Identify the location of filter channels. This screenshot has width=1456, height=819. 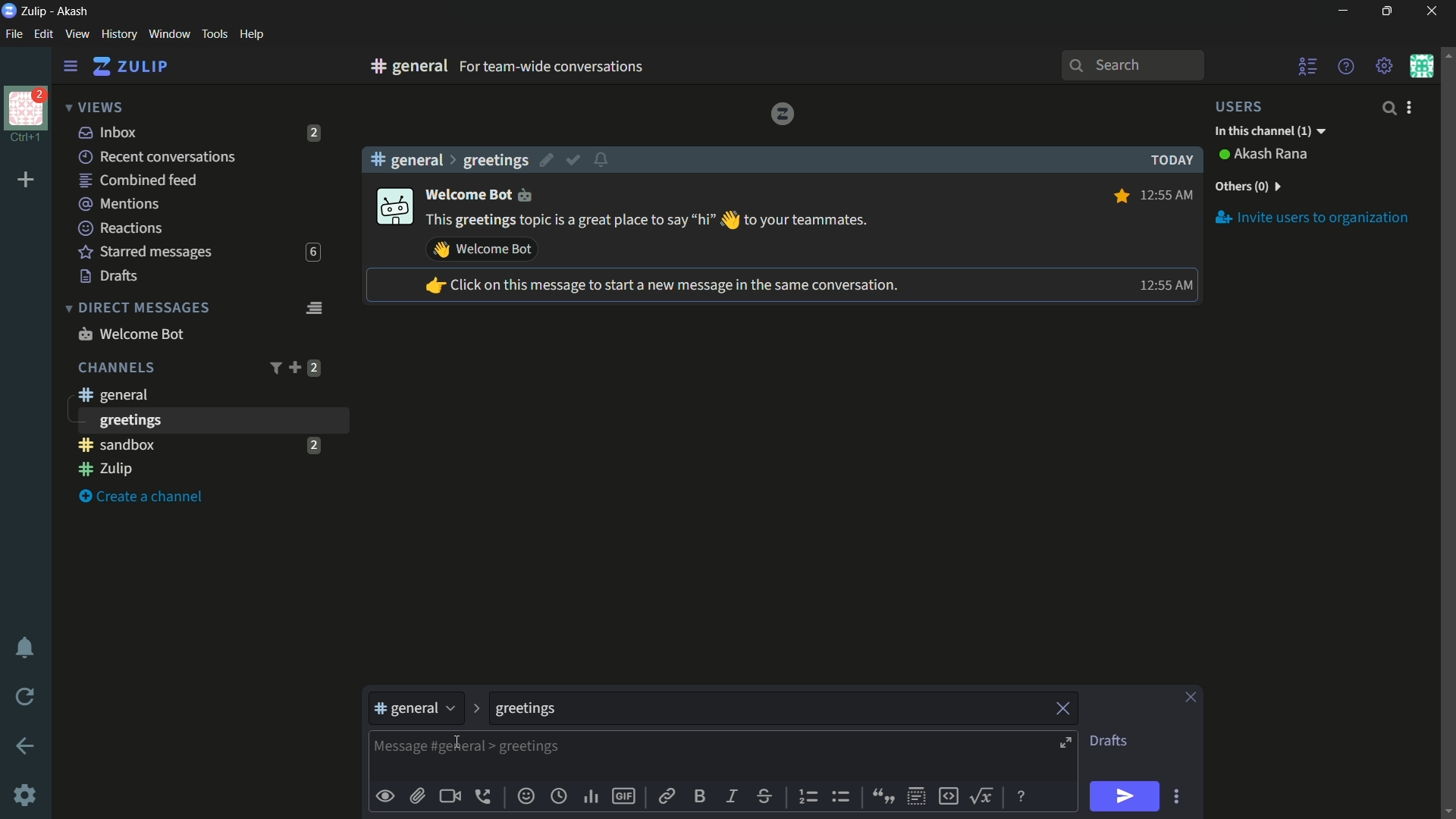
(274, 368).